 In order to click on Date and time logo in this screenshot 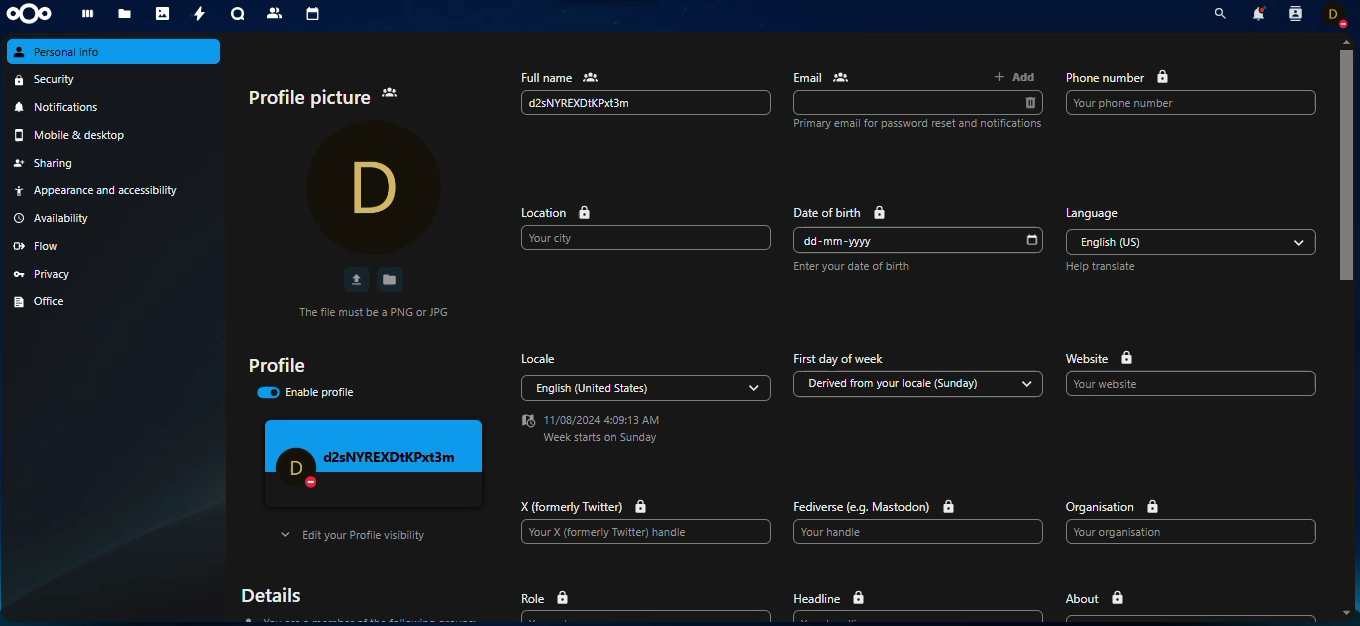, I will do `click(528, 420)`.